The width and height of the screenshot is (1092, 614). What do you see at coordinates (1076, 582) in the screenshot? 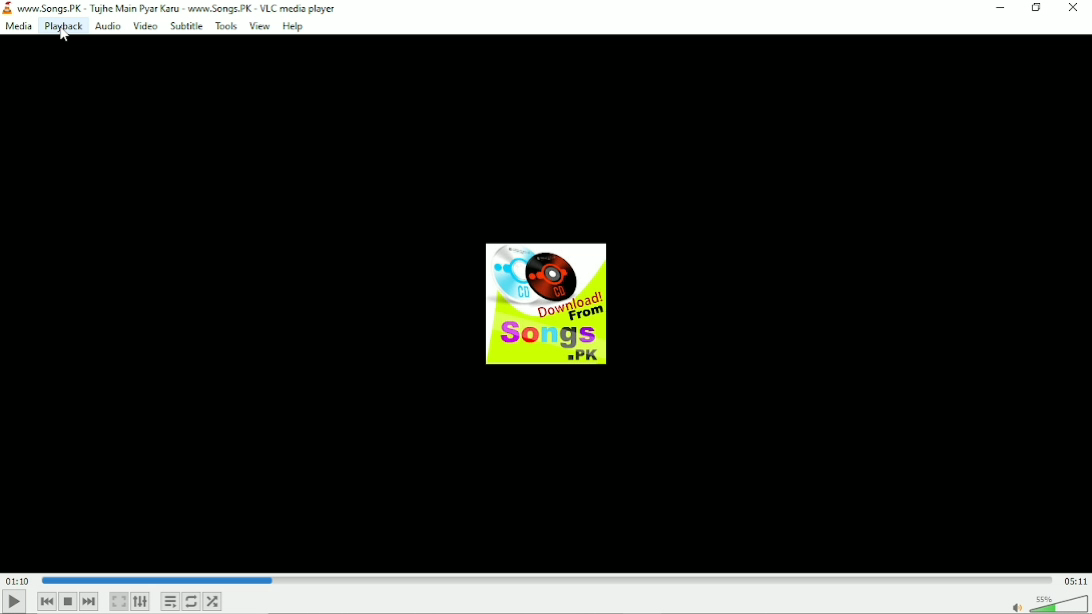
I see `Total duration` at bounding box center [1076, 582].